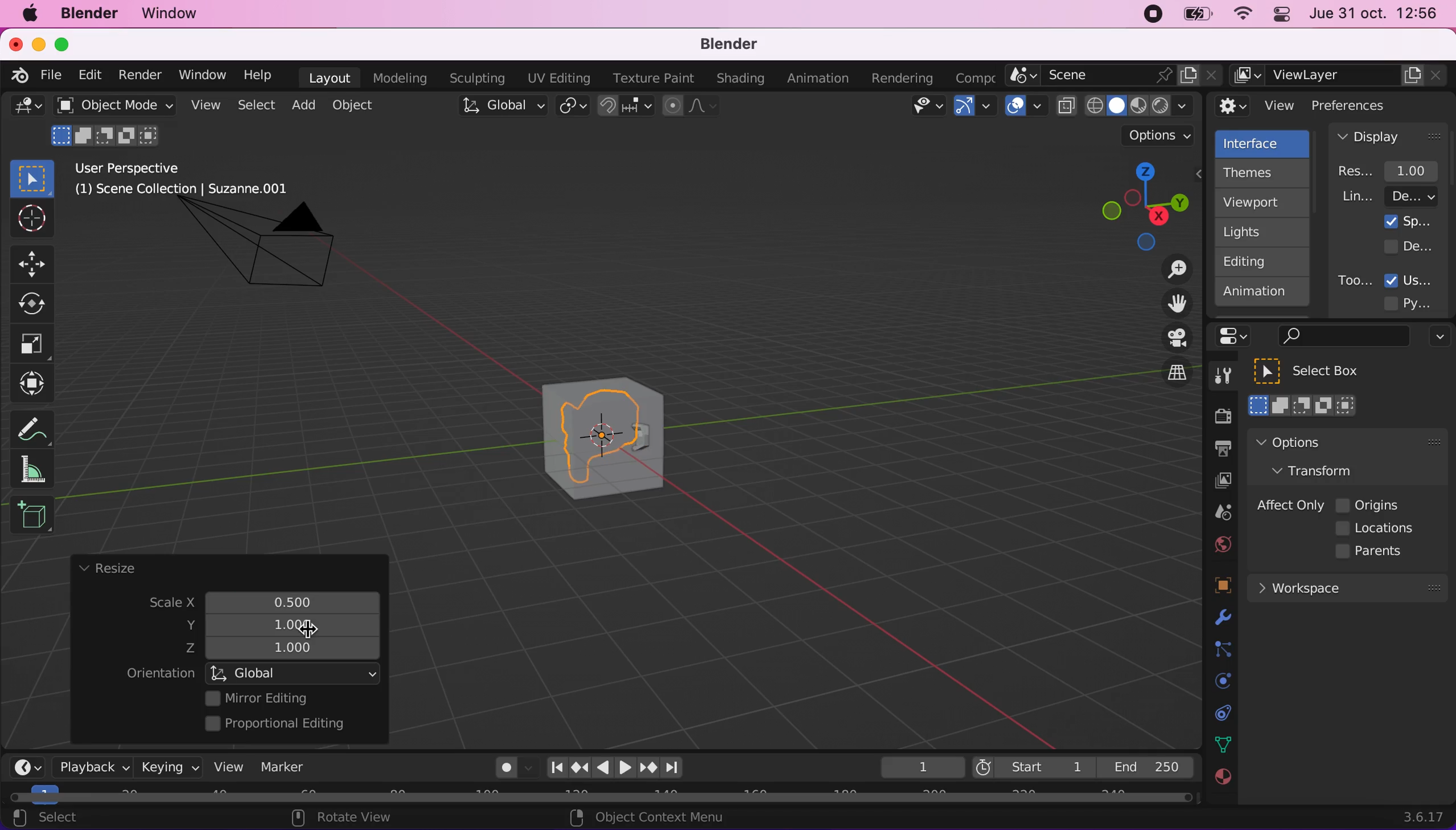 This screenshot has width=1456, height=830. I want to click on line width, so click(1389, 196).